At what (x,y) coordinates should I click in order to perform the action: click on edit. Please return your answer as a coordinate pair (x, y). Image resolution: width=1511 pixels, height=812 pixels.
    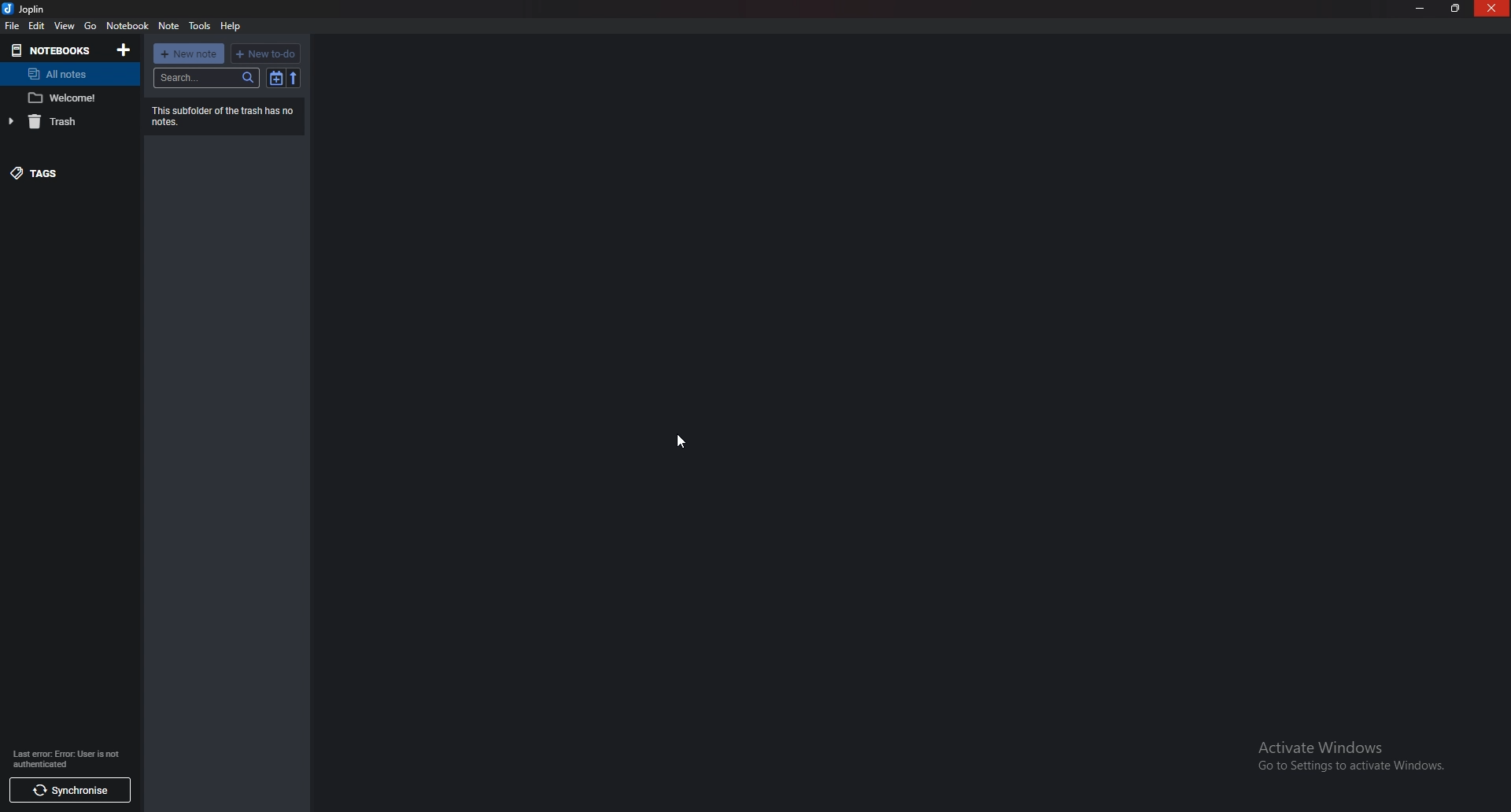
    Looking at the image, I should click on (37, 25).